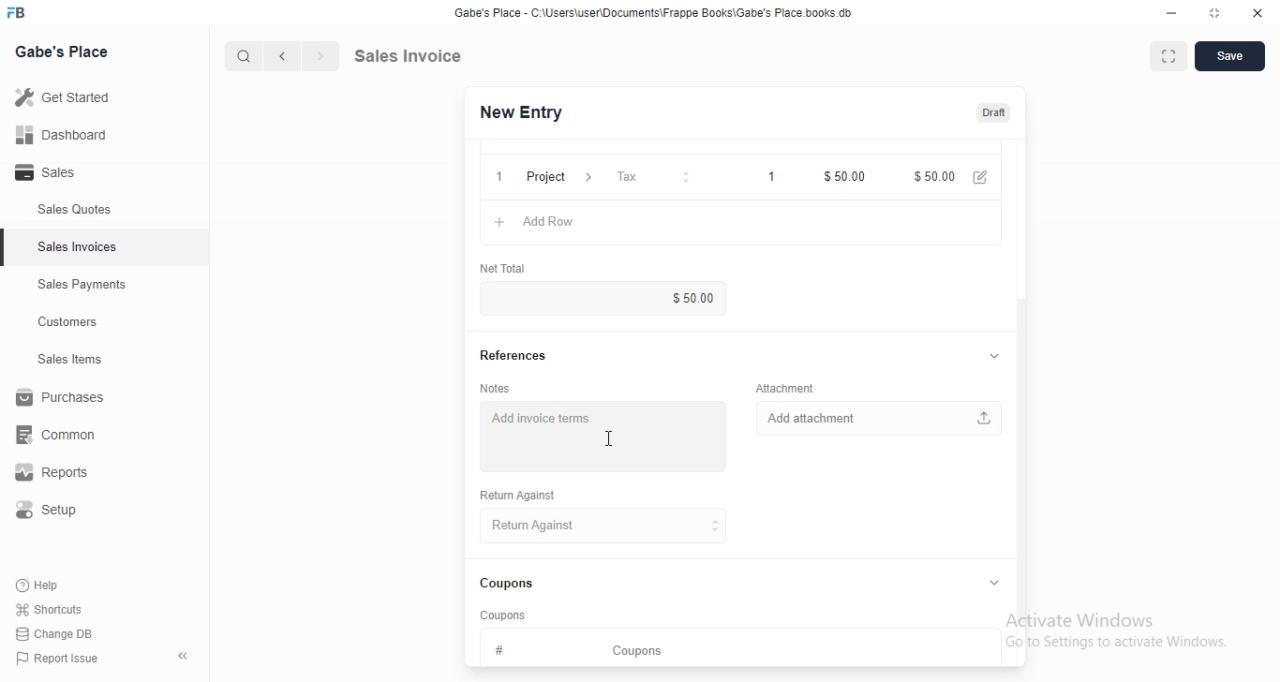 This screenshot has height=682, width=1280. Describe the element at coordinates (62, 434) in the screenshot. I see `common` at that location.